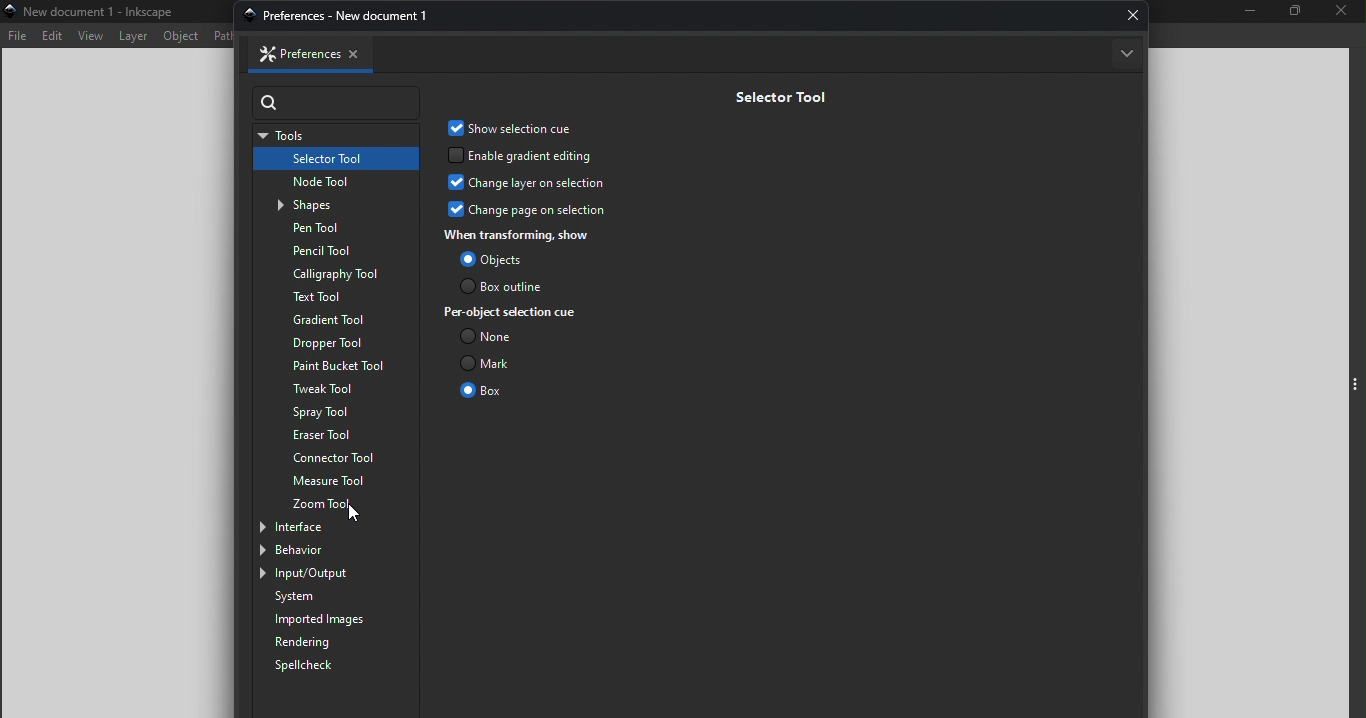  What do you see at coordinates (103, 12) in the screenshot?
I see `New document 1-Inincipe` at bounding box center [103, 12].